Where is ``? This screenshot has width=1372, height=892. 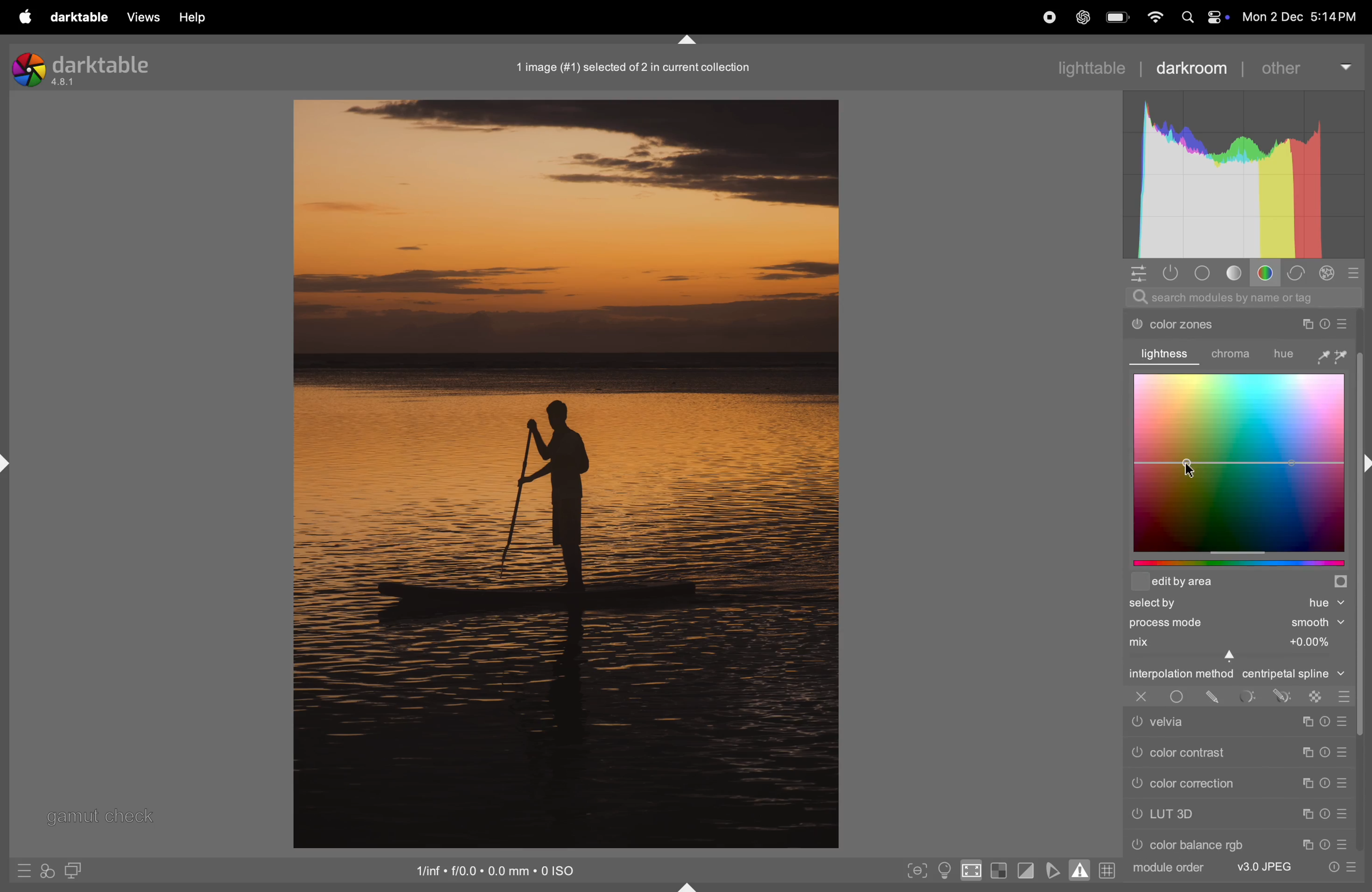  is located at coordinates (1363, 582).